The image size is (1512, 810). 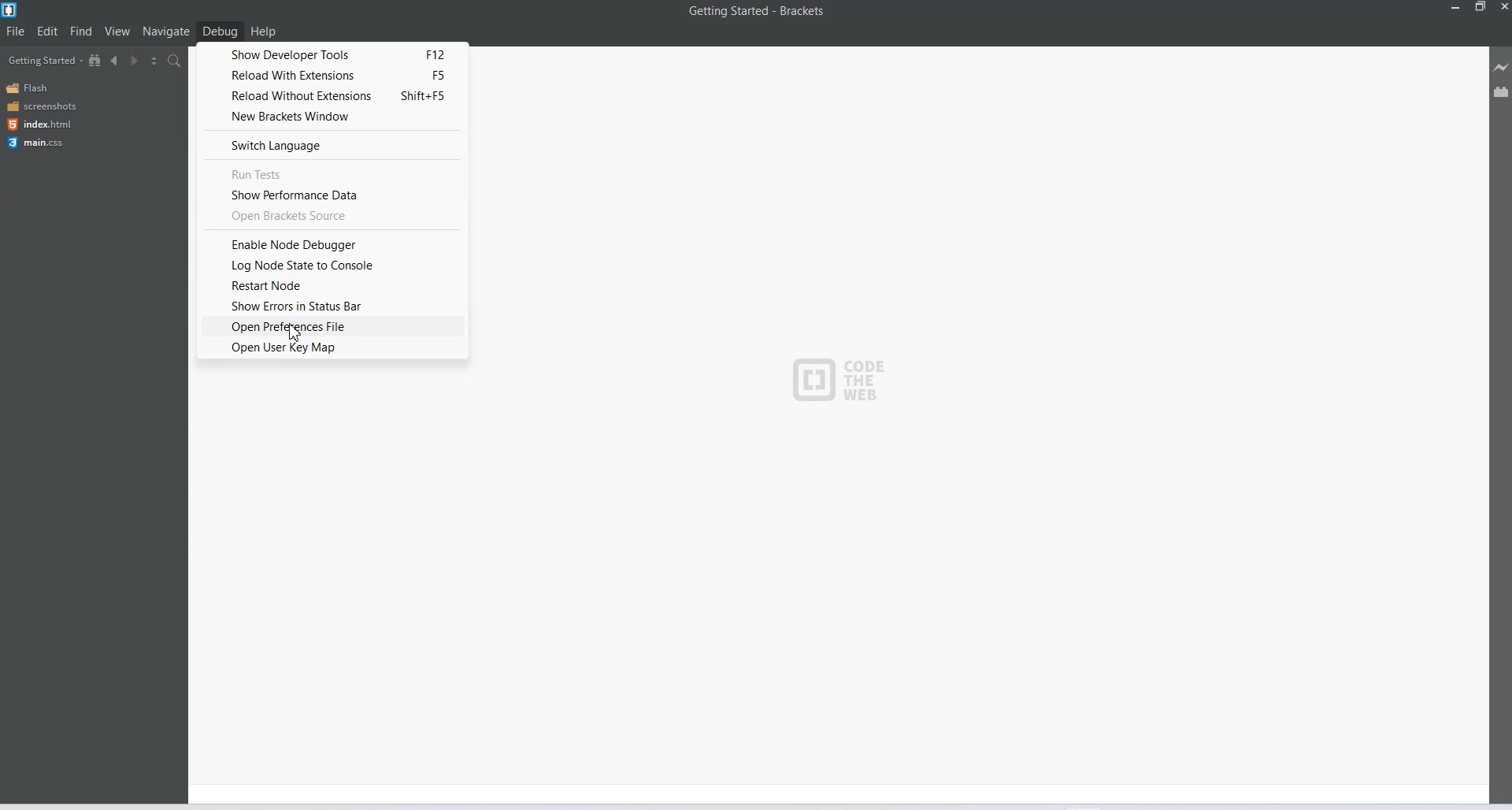 I want to click on Open User Key Map, so click(x=332, y=347).